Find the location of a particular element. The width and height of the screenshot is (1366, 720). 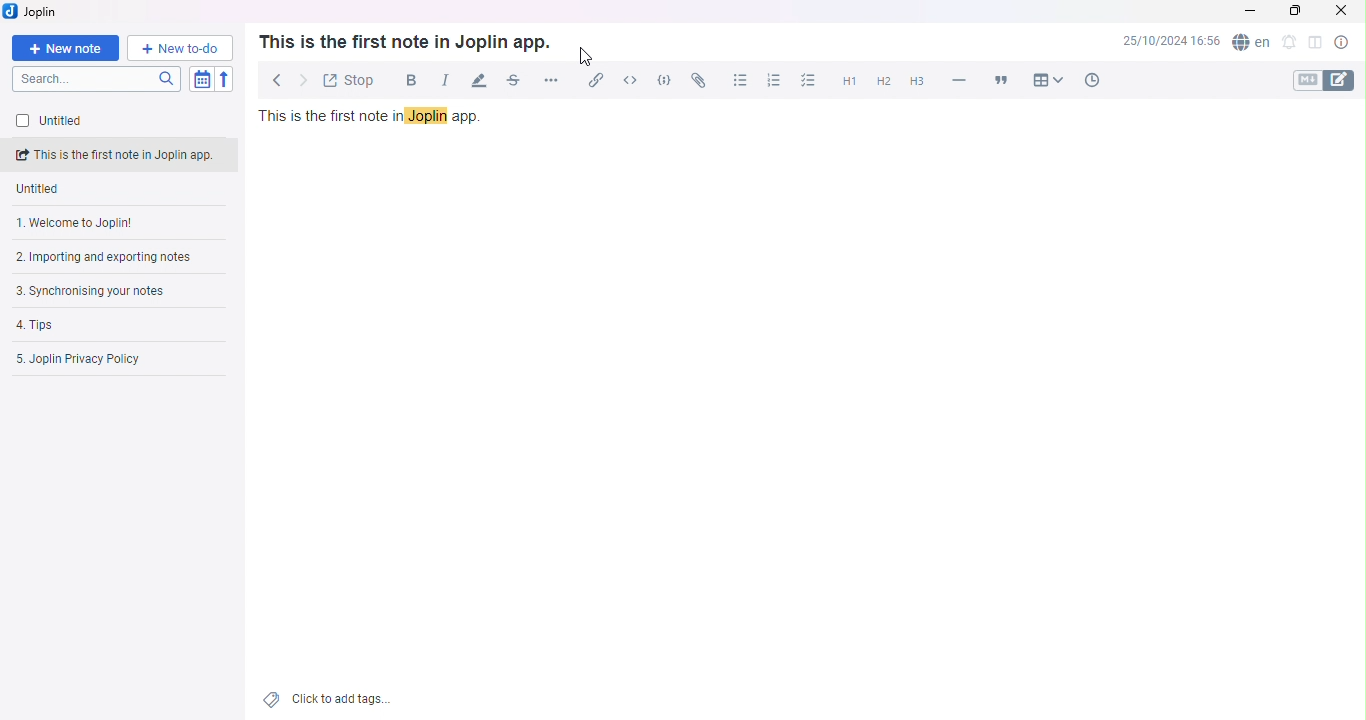

Blockquote is located at coordinates (1004, 78).